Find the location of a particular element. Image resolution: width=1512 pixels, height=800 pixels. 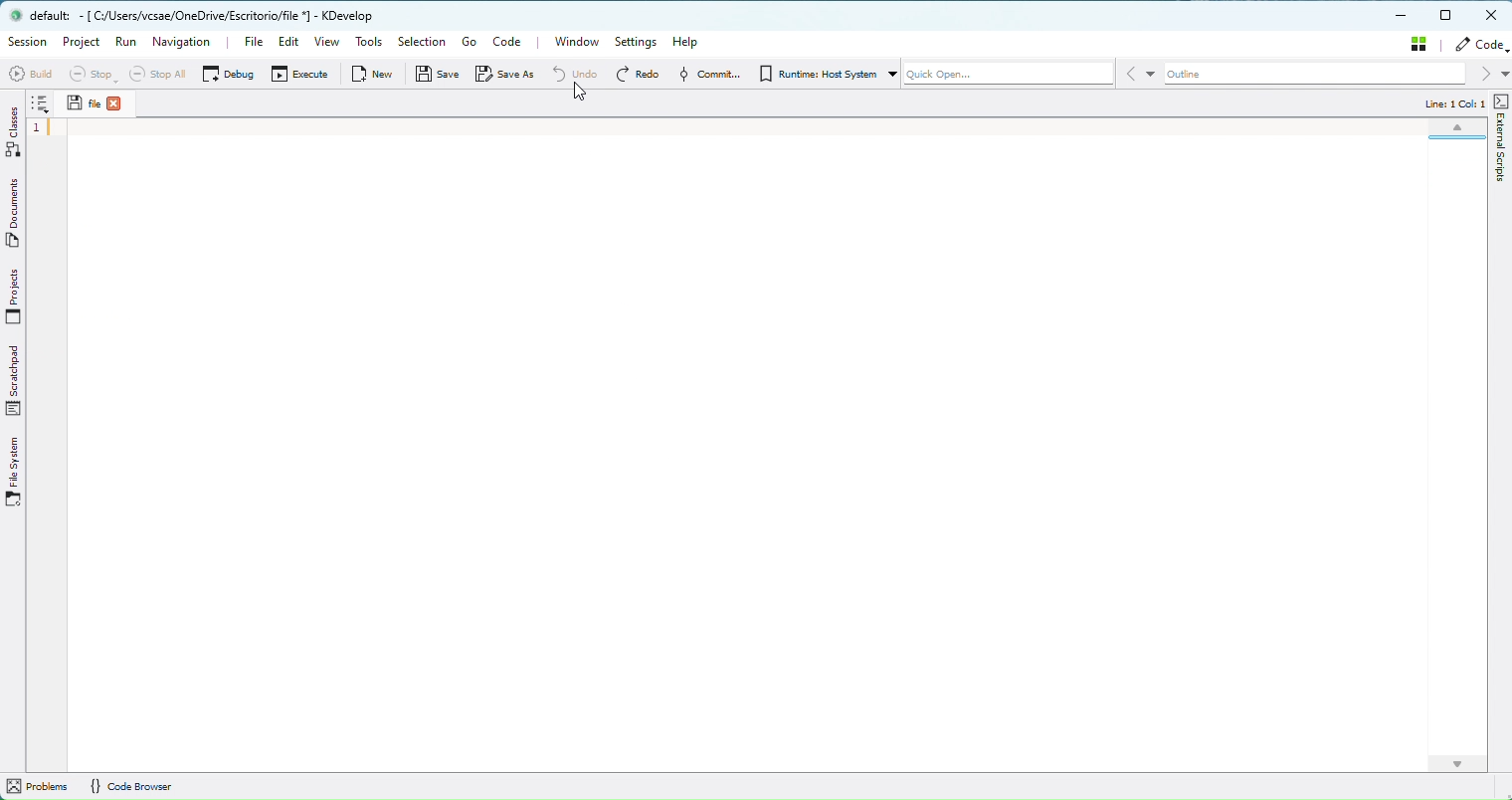

external scripts is located at coordinates (1499, 147).